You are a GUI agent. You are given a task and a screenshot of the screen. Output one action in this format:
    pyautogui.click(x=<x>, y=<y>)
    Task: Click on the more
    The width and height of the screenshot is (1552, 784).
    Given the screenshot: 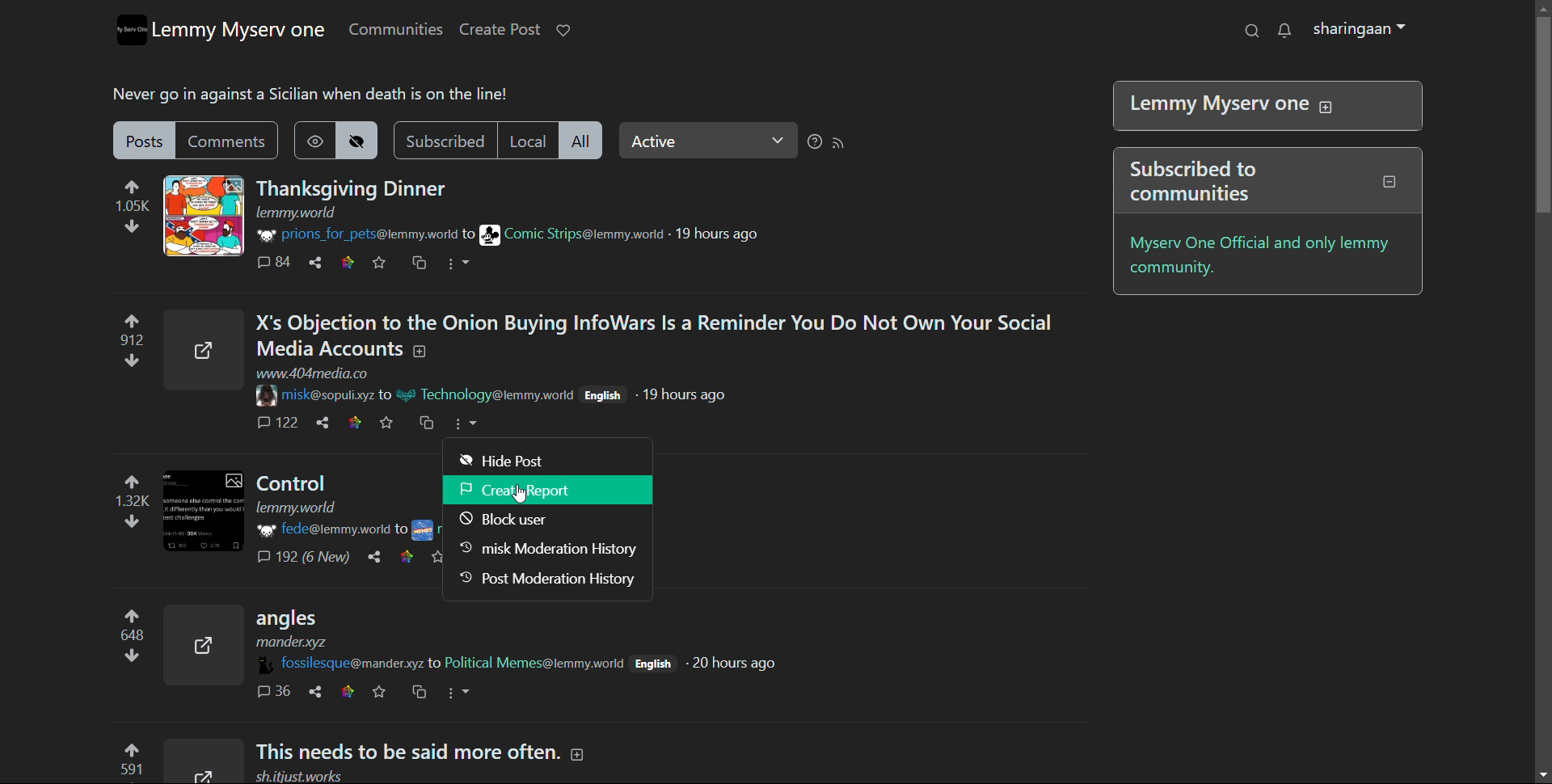 What is the action you would take?
    pyautogui.click(x=459, y=690)
    